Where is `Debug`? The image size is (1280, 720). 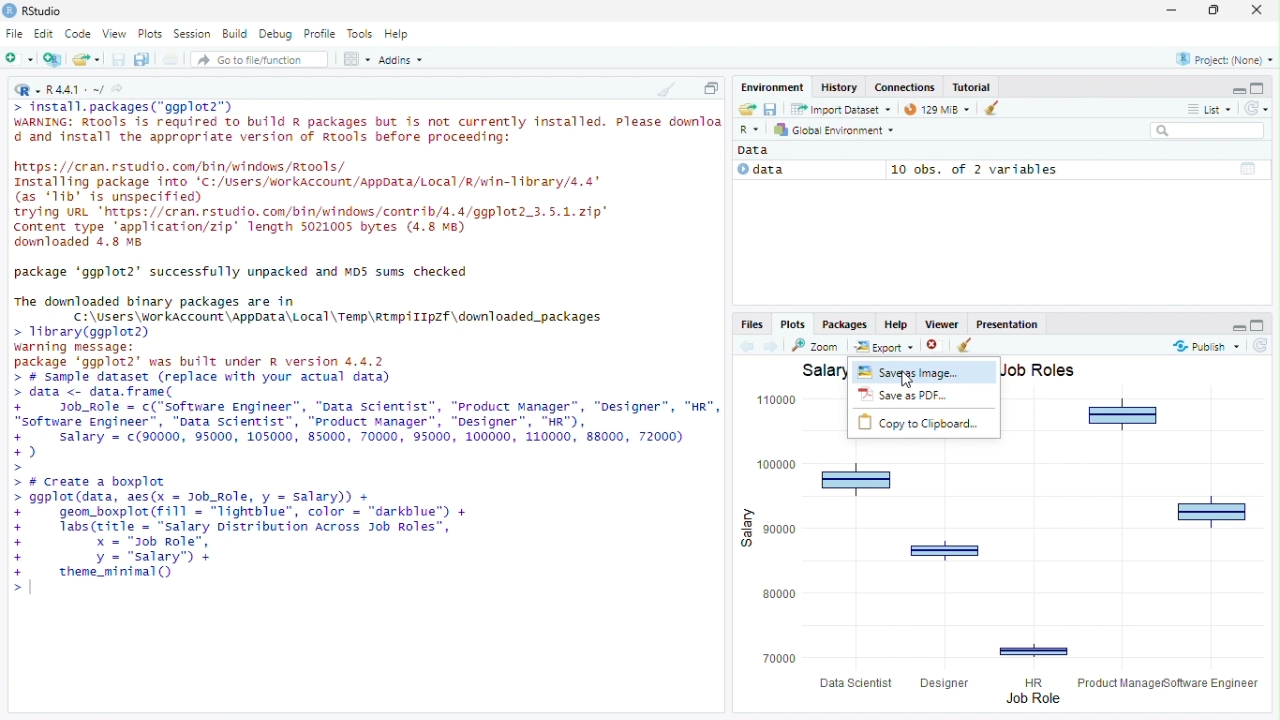
Debug is located at coordinates (276, 34).